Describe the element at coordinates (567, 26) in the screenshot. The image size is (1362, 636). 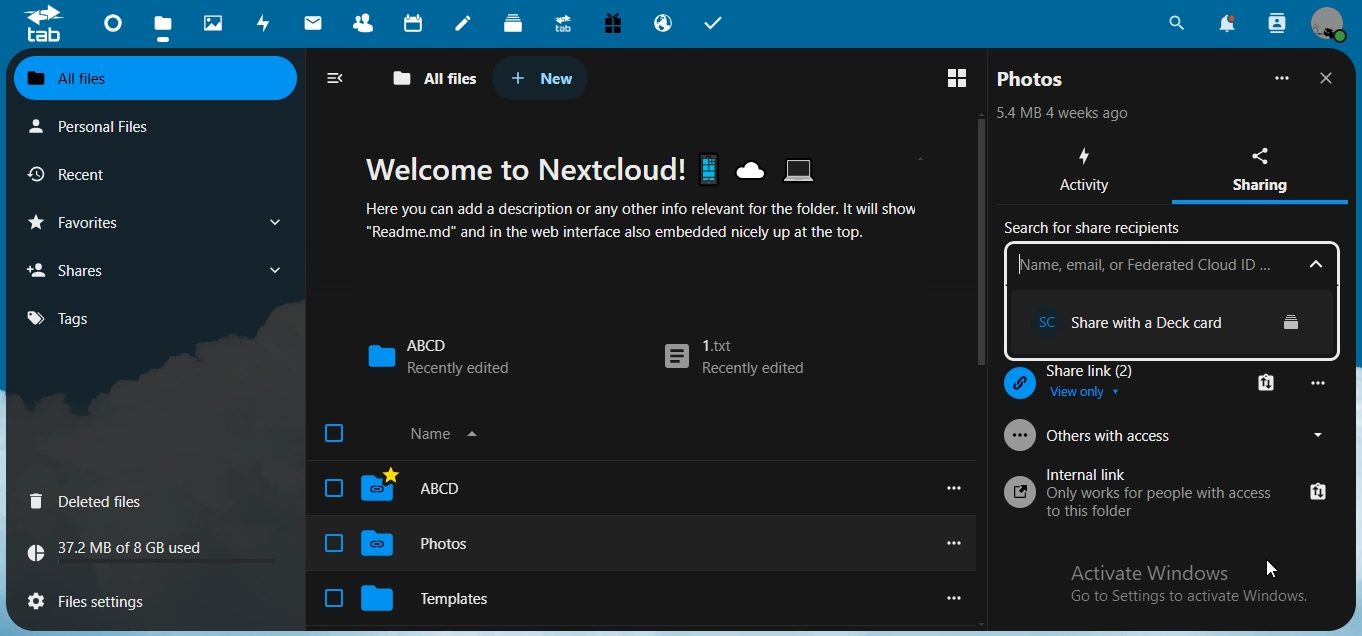
I see `upgrade` at that location.